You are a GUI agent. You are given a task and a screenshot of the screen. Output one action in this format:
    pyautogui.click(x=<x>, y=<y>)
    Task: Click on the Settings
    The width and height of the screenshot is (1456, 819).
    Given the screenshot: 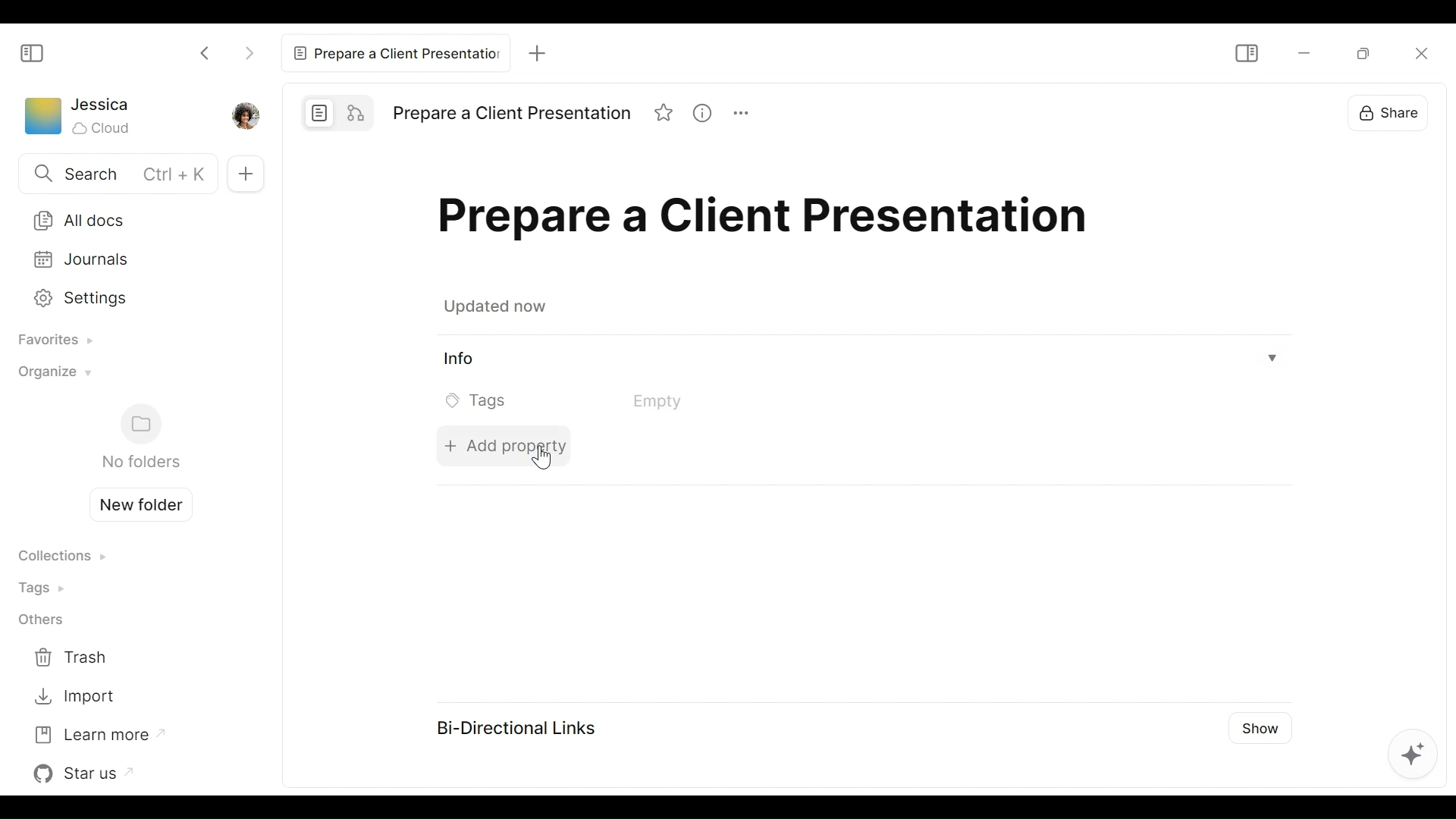 What is the action you would take?
    pyautogui.click(x=127, y=296)
    